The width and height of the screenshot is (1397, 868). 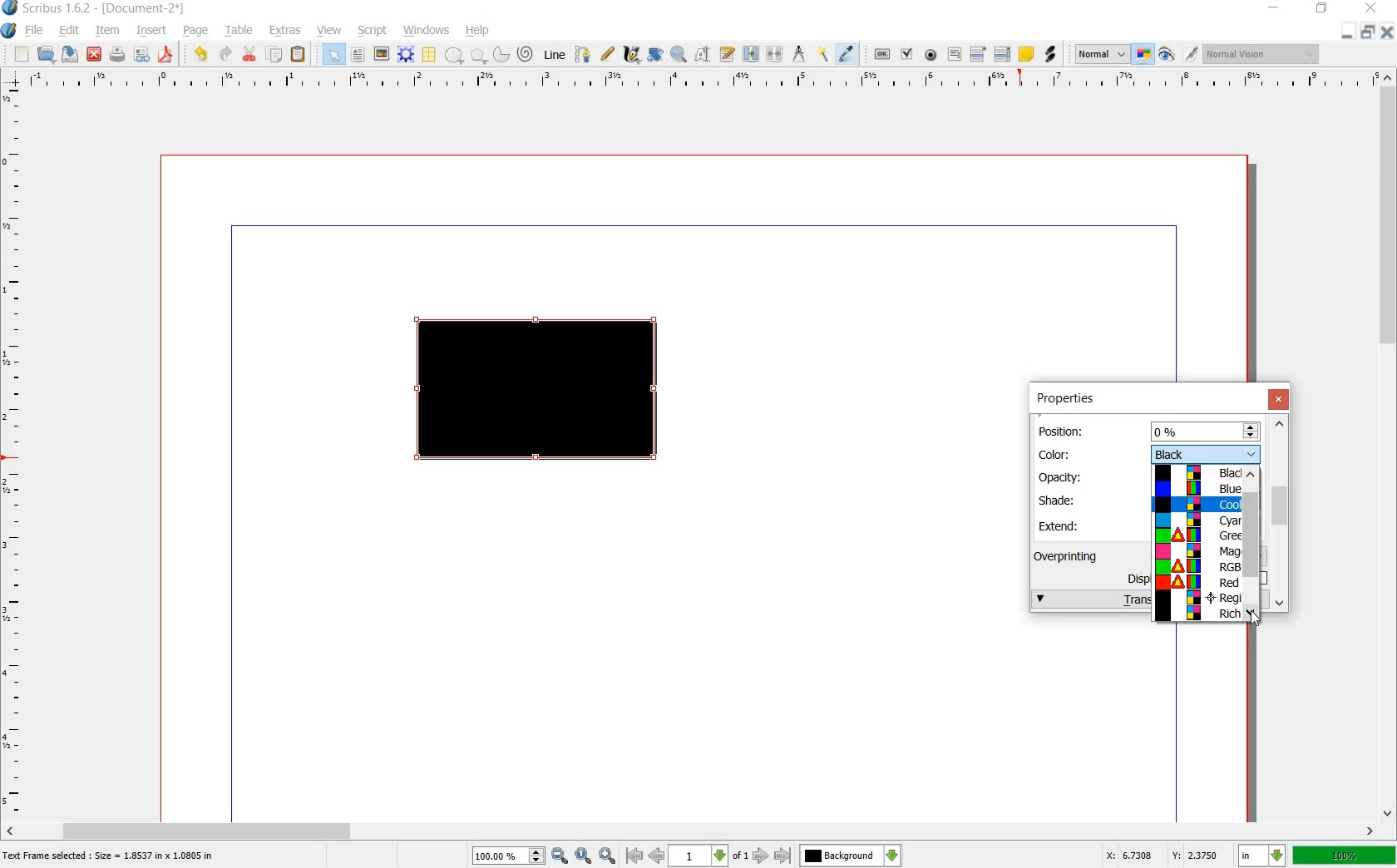 What do you see at coordinates (1348, 33) in the screenshot?
I see `minimize` at bounding box center [1348, 33].